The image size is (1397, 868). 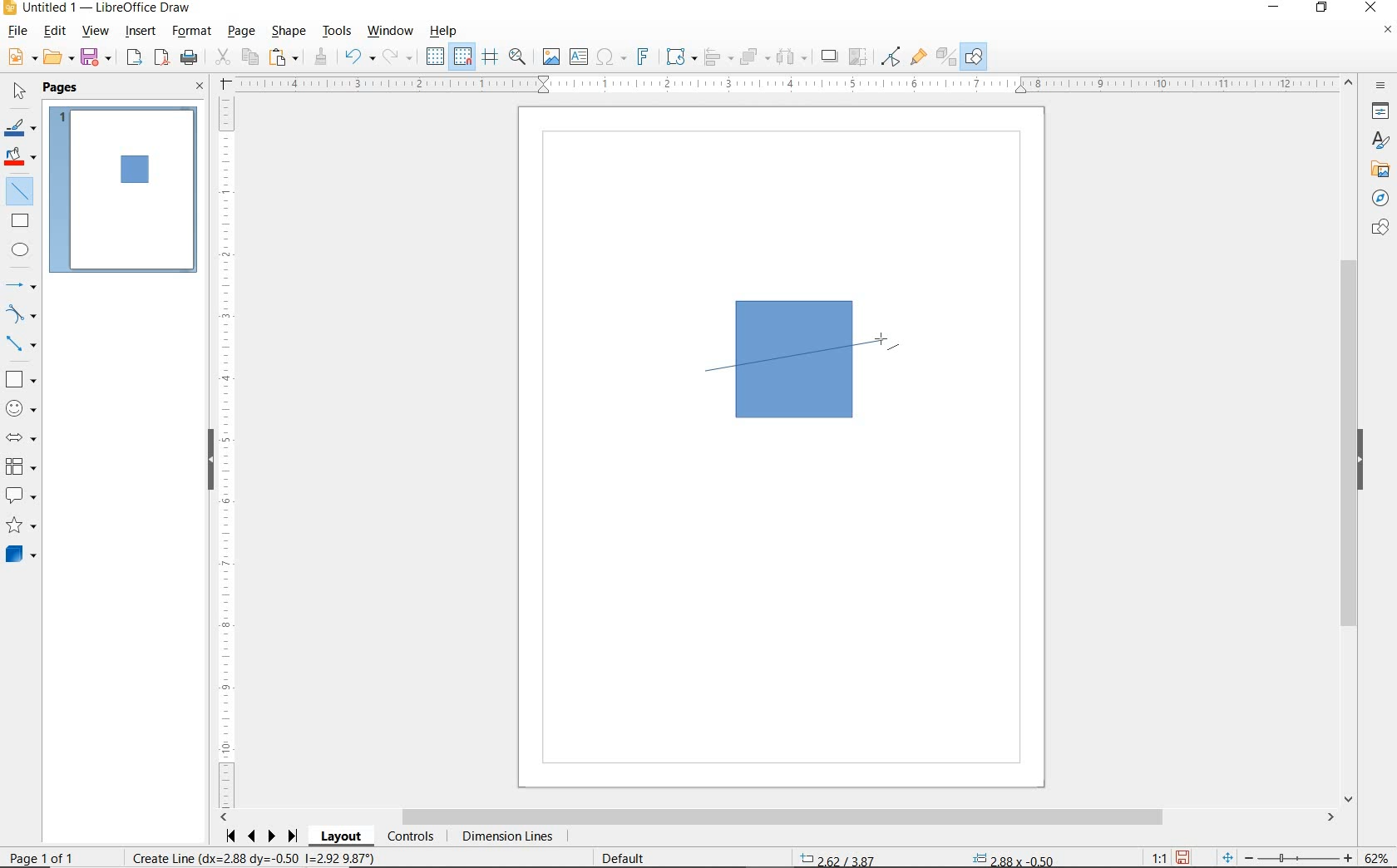 I want to click on OPEN, so click(x=59, y=57).